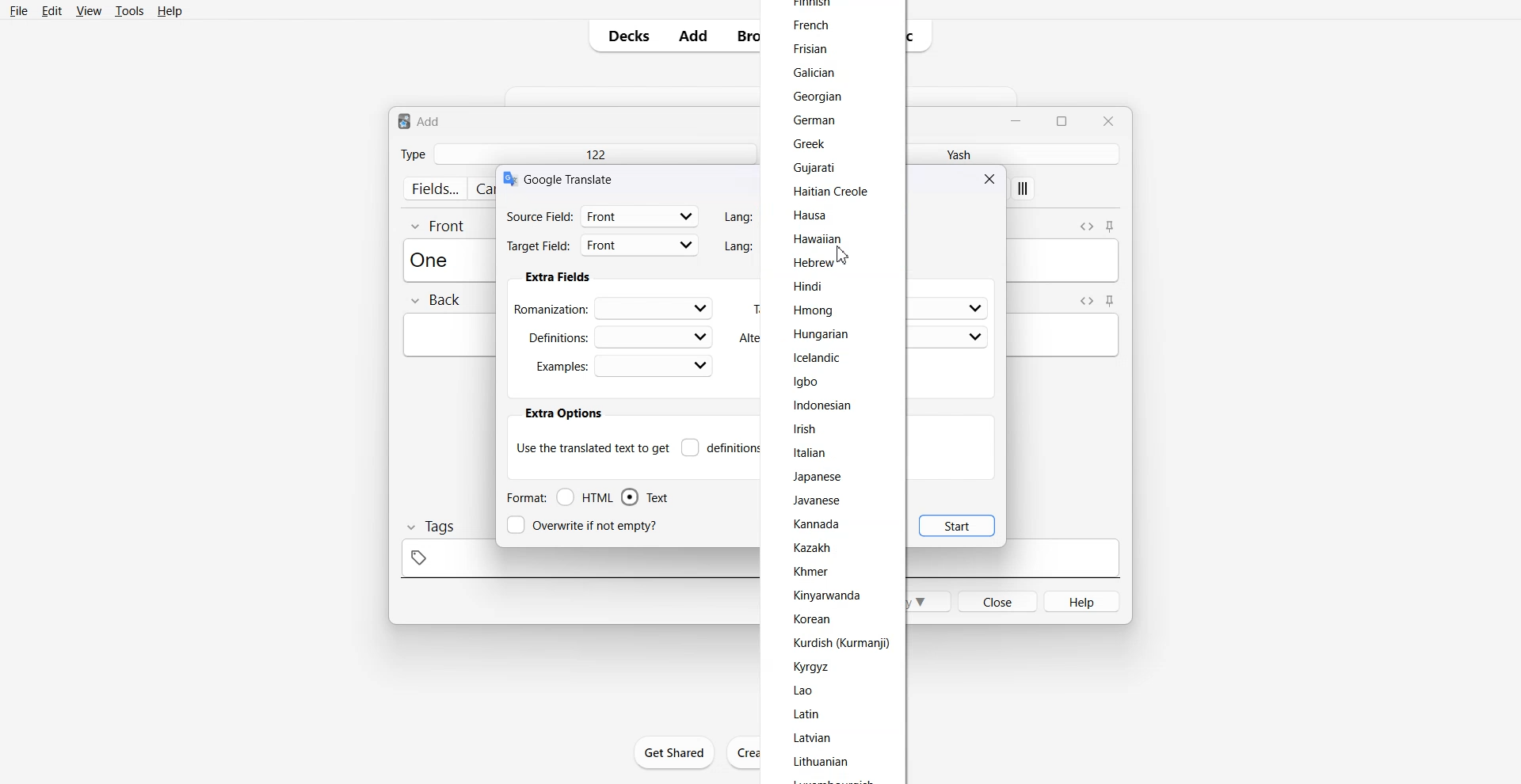  I want to click on Maximize, so click(1065, 120).